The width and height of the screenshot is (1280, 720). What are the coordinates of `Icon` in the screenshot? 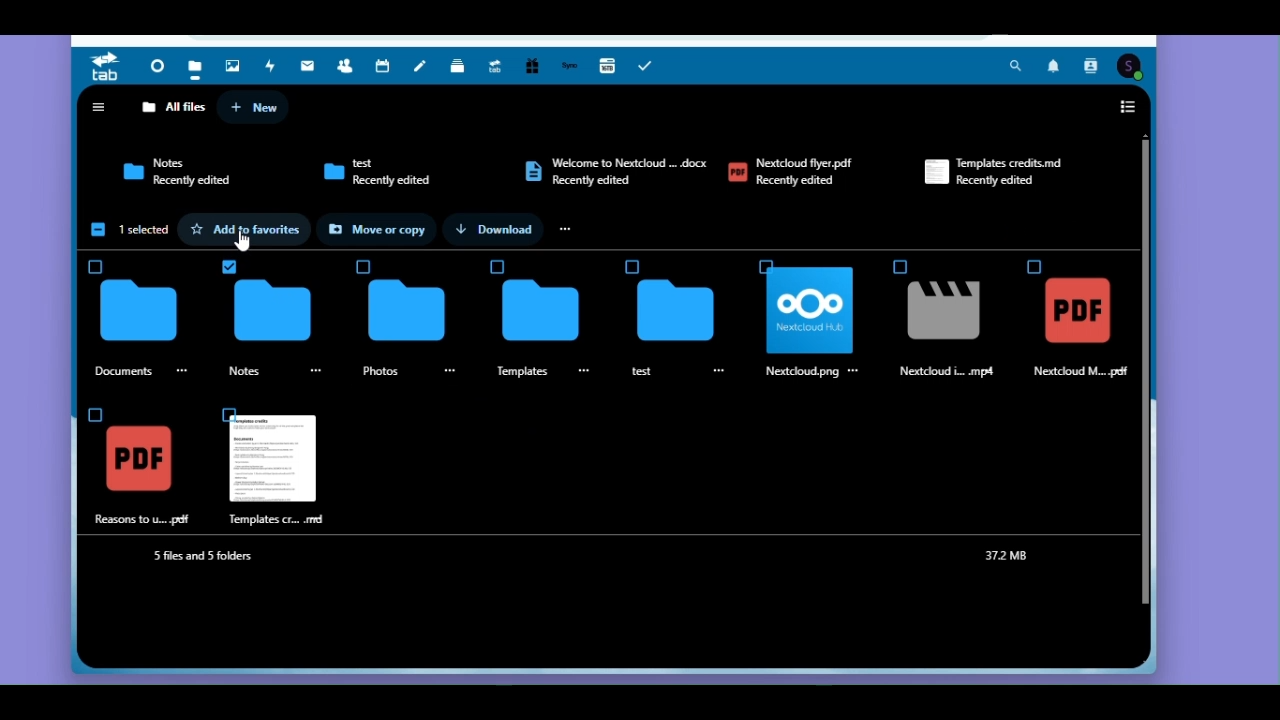 It's located at (137, 311).